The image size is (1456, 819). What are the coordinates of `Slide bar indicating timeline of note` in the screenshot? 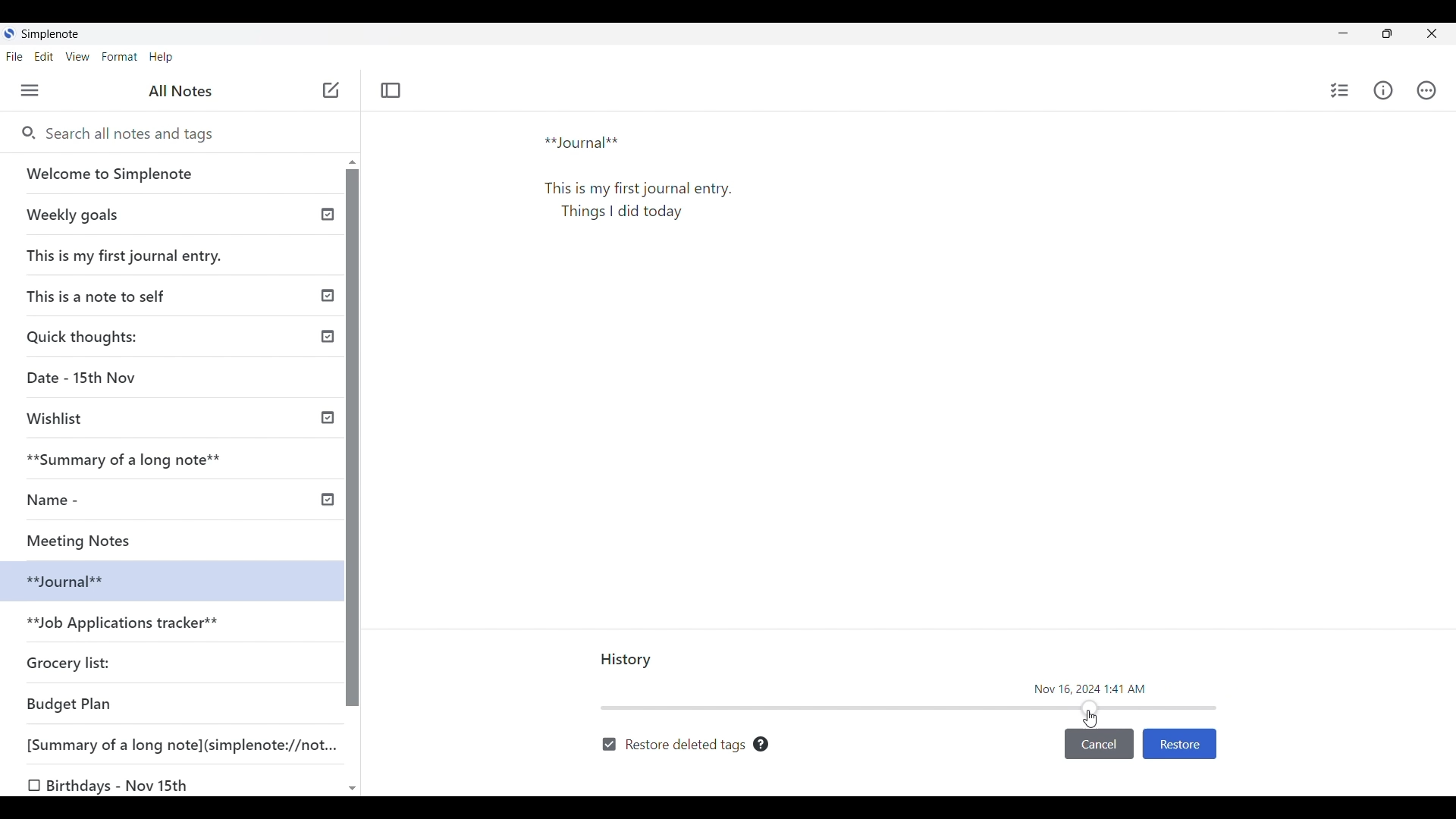 It's located at (910, 708).